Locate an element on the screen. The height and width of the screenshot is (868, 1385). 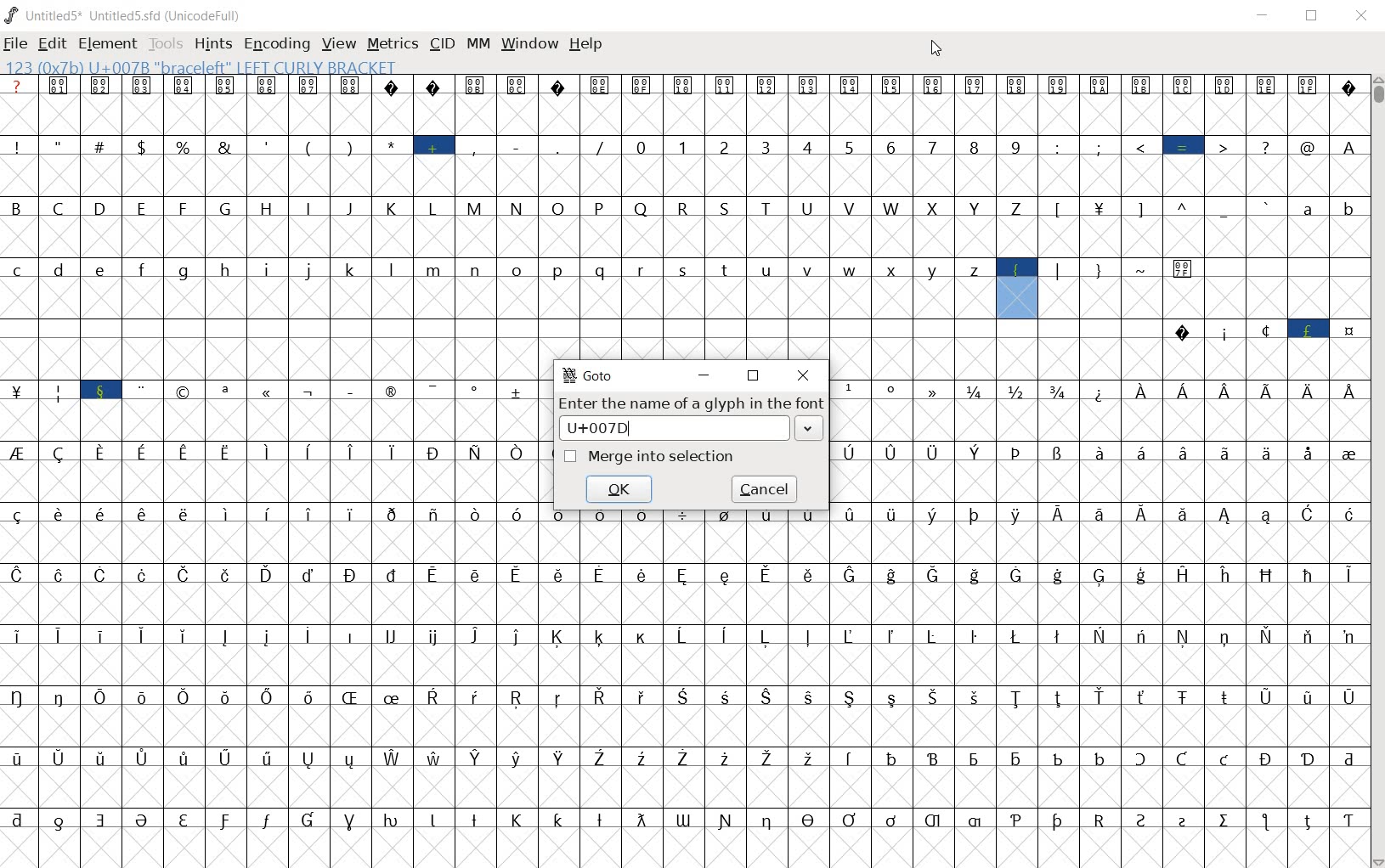
CLOSE is located at coordinates (1359, 15).